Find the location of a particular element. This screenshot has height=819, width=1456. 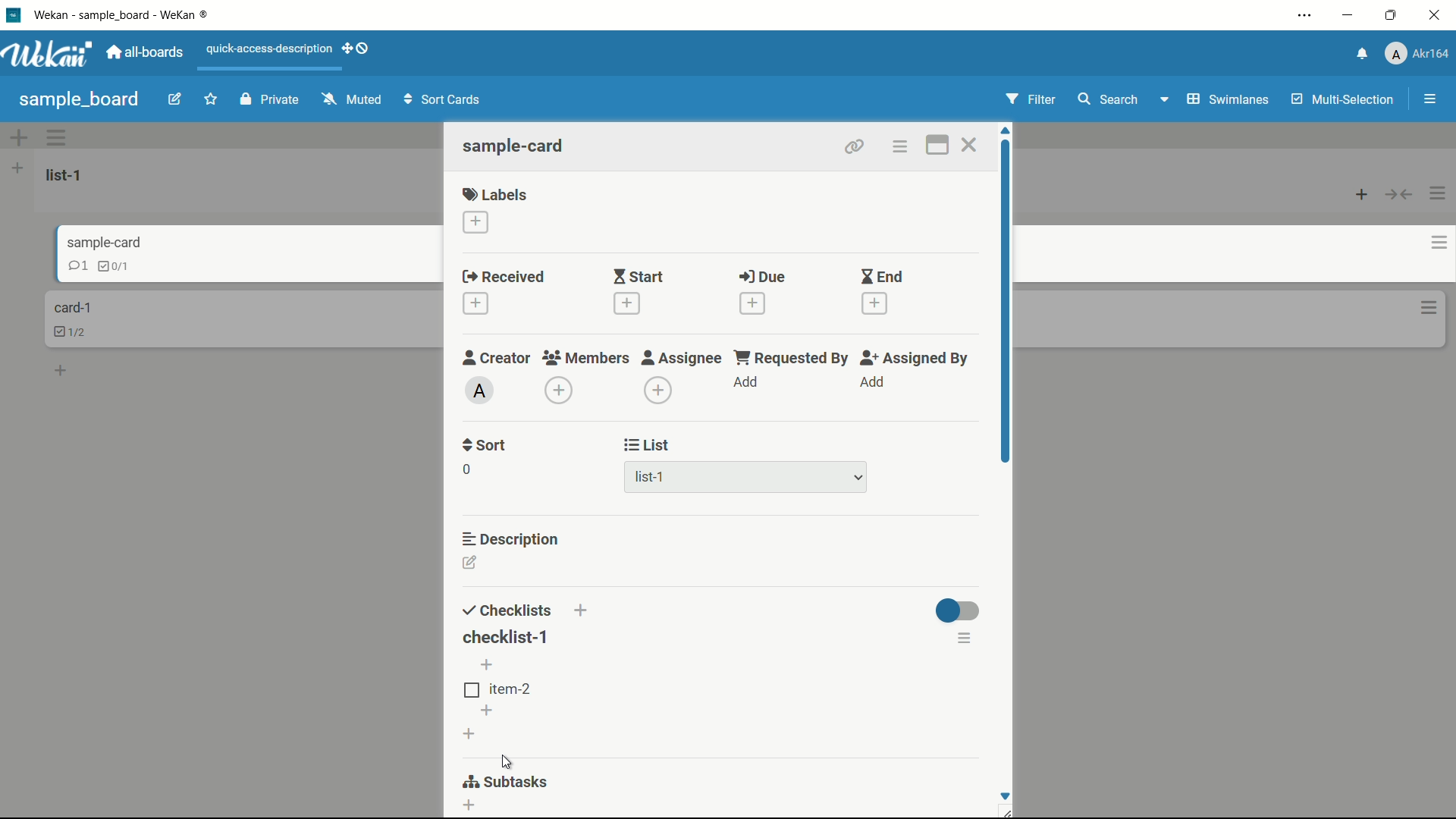

add swimlane is located at coordinates (19, 136).